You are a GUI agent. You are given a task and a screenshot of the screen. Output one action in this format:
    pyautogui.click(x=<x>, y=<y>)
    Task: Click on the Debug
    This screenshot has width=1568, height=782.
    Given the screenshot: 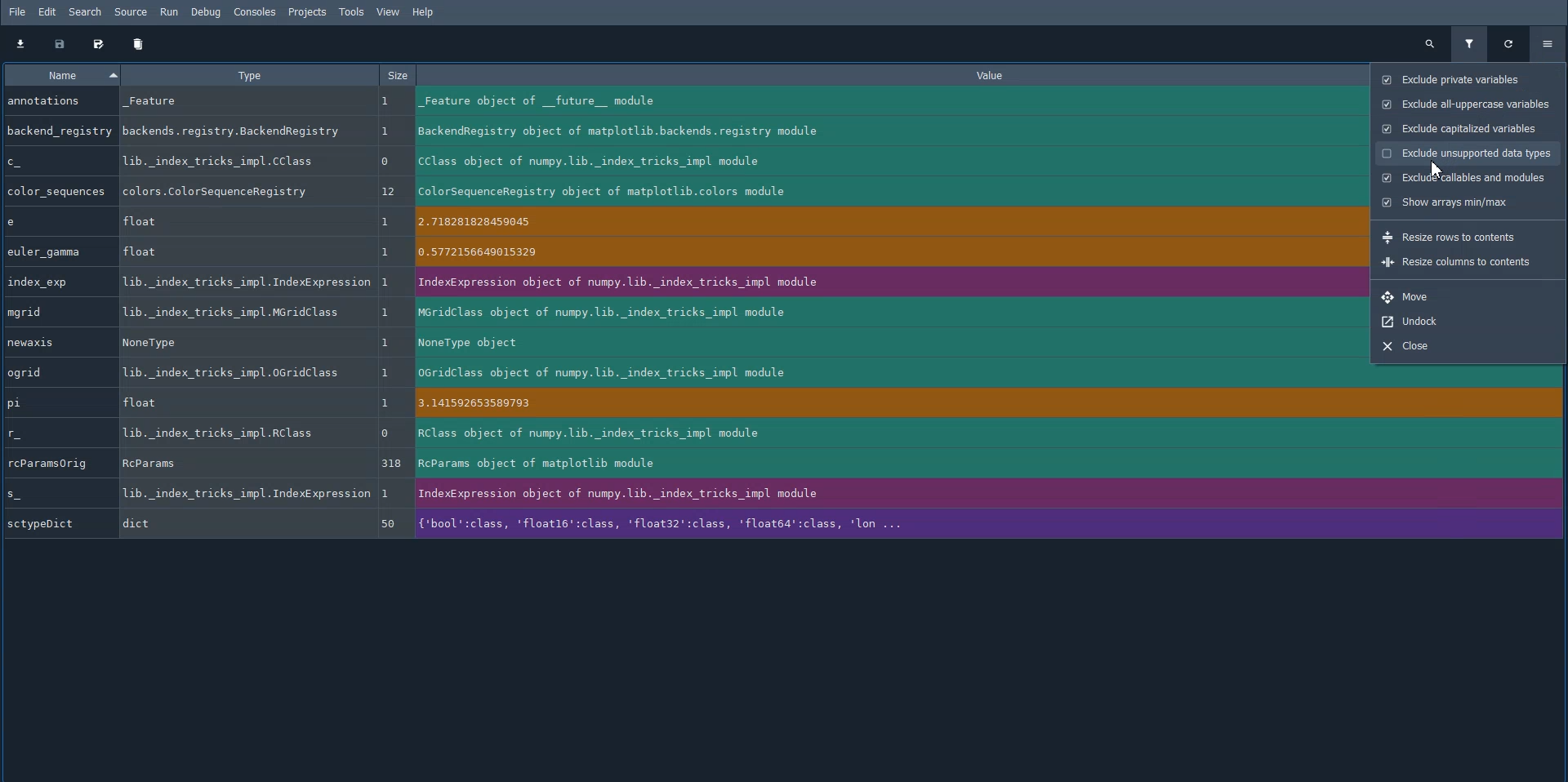 What is the action you would take?
    pyautogui.click(x=209, y=12)
    